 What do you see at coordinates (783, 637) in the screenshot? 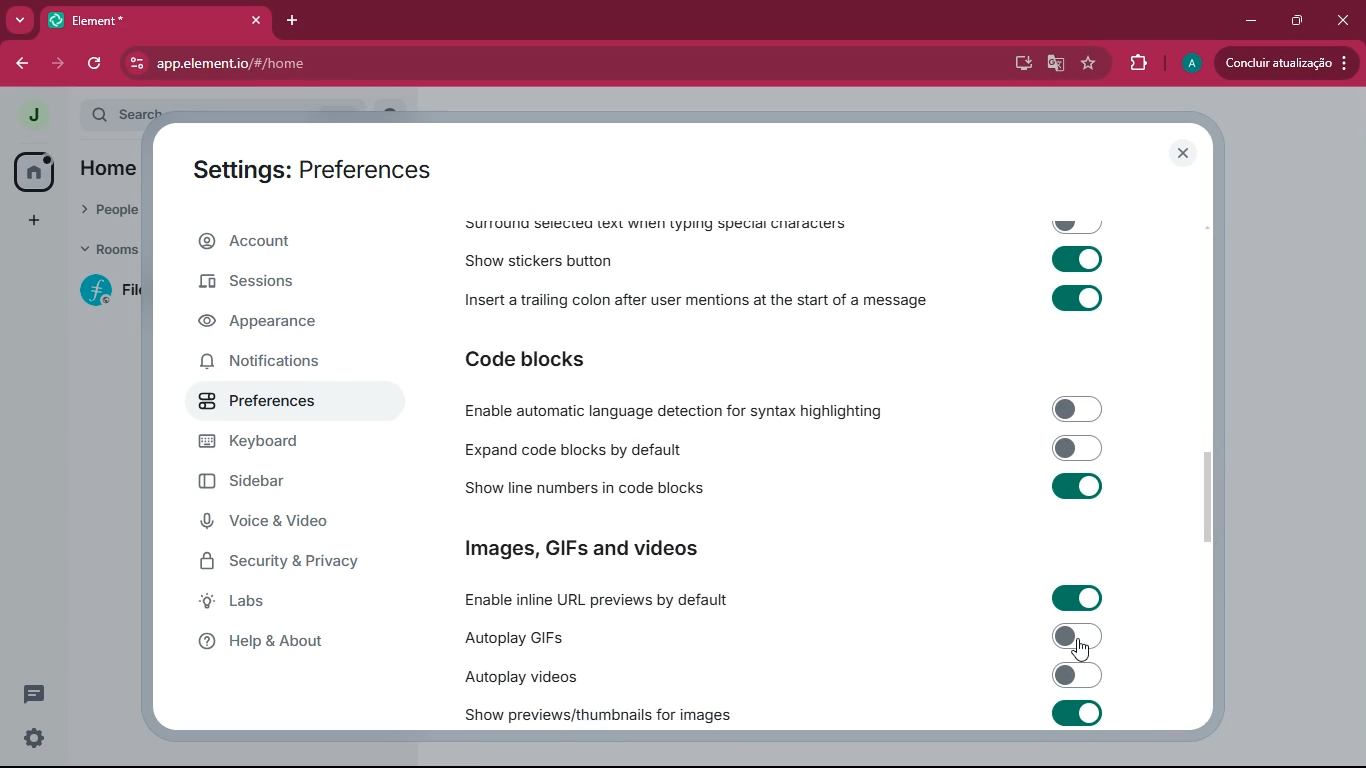
I see `Autoplay GIFs` at bounding box center [783, 637].